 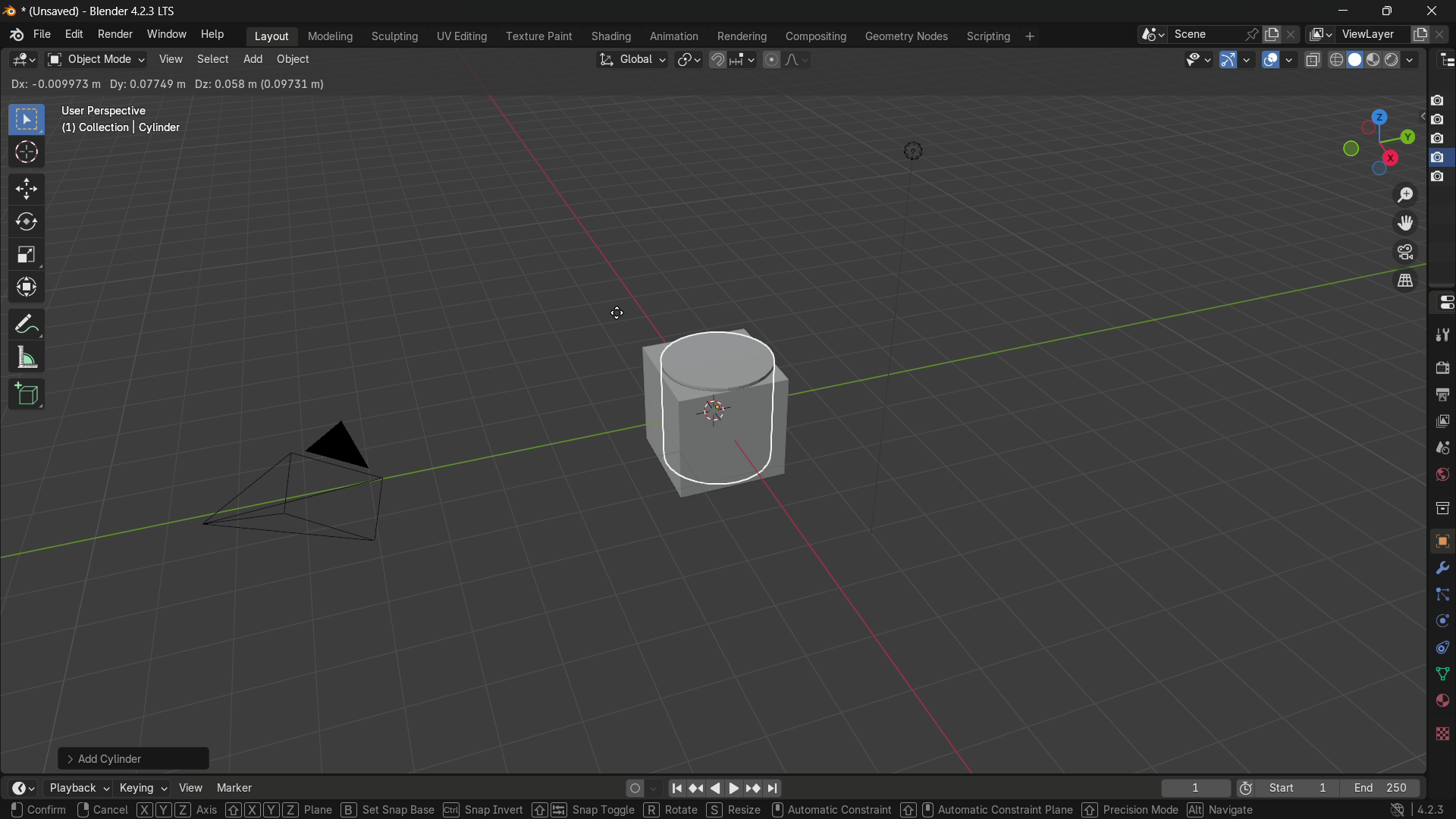 I want to click on icon, so click(x=1442, y=621).